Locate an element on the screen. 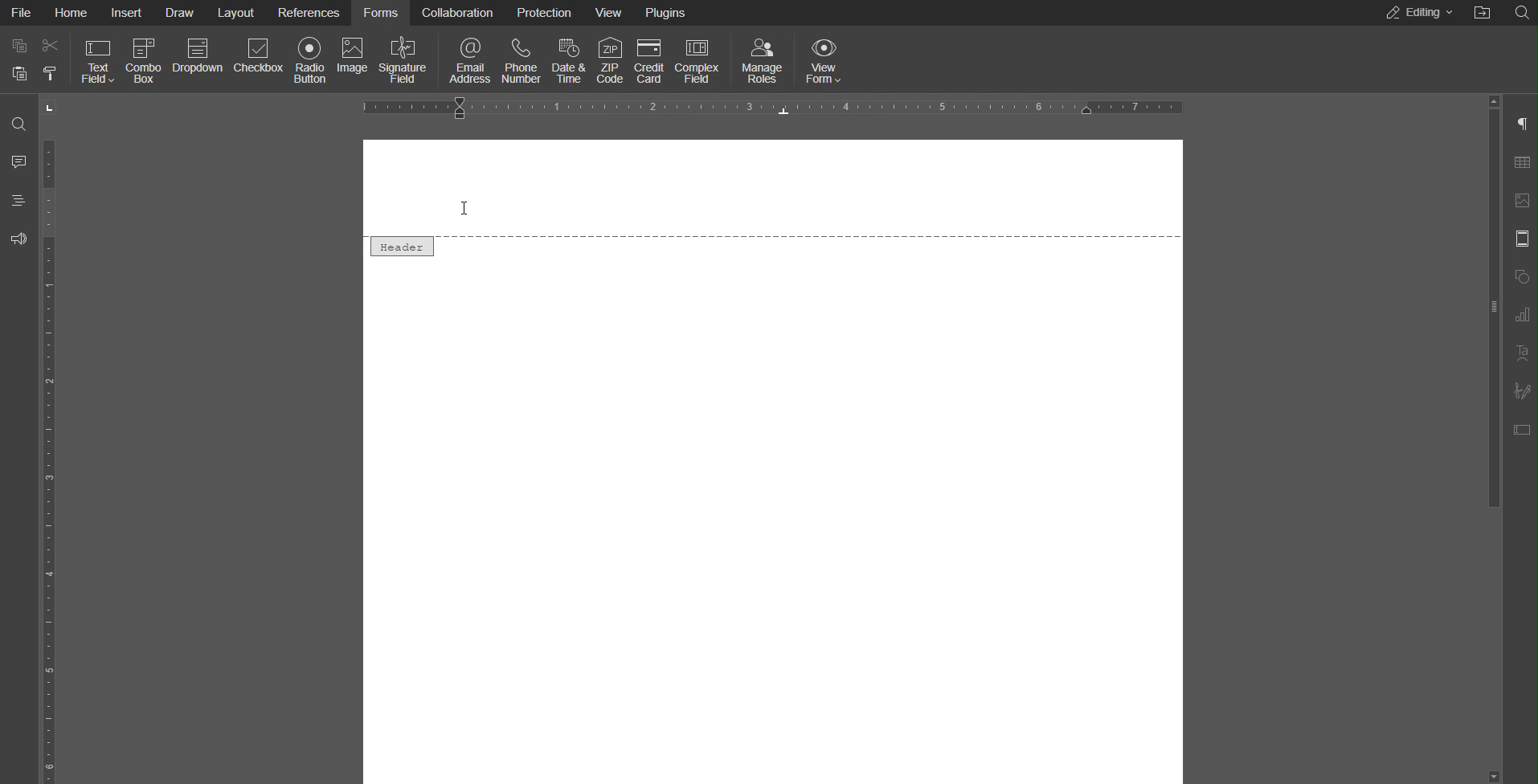  Feedback and Support is located at coordinates (19, 238).